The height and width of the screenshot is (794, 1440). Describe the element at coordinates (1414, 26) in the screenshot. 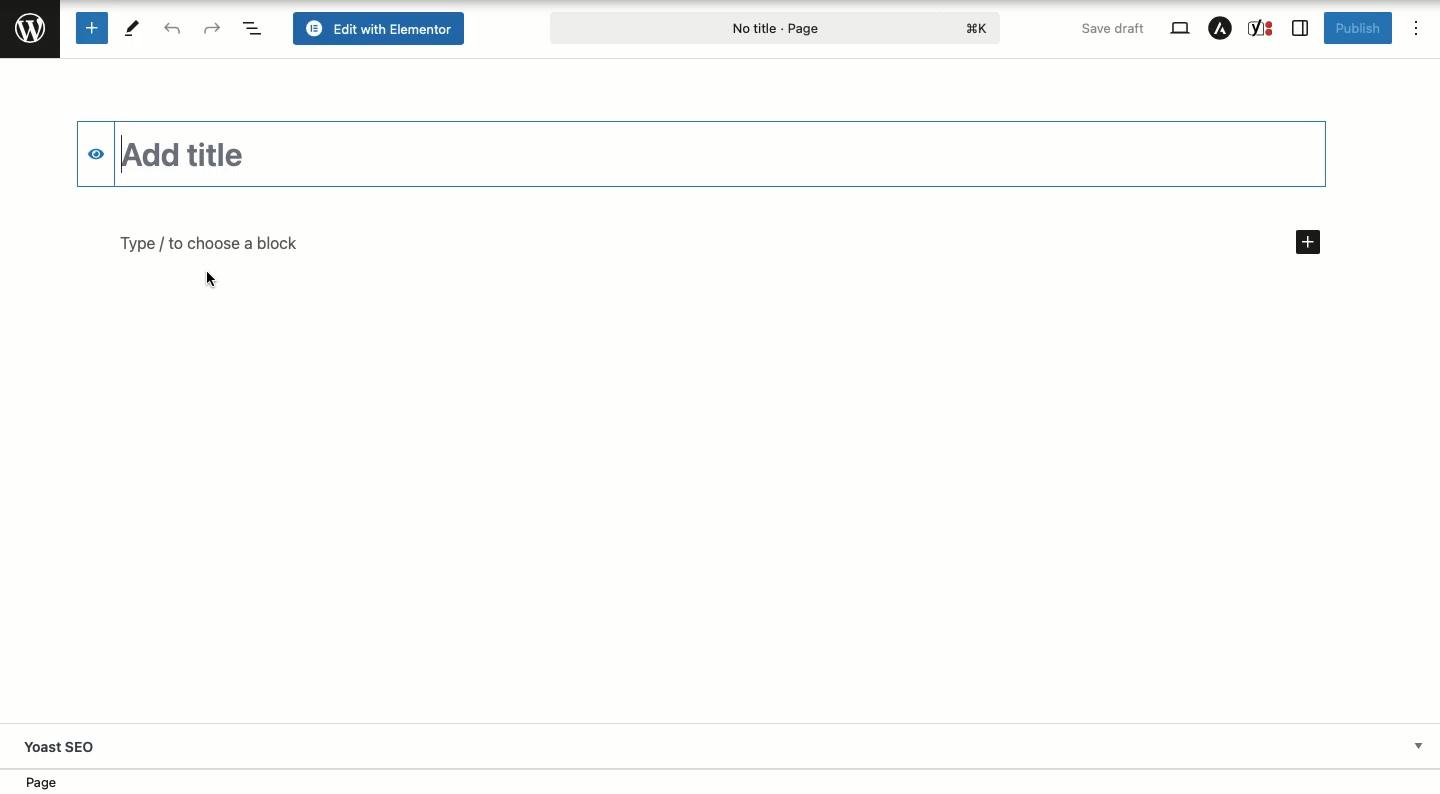

I see `Options` at that location.